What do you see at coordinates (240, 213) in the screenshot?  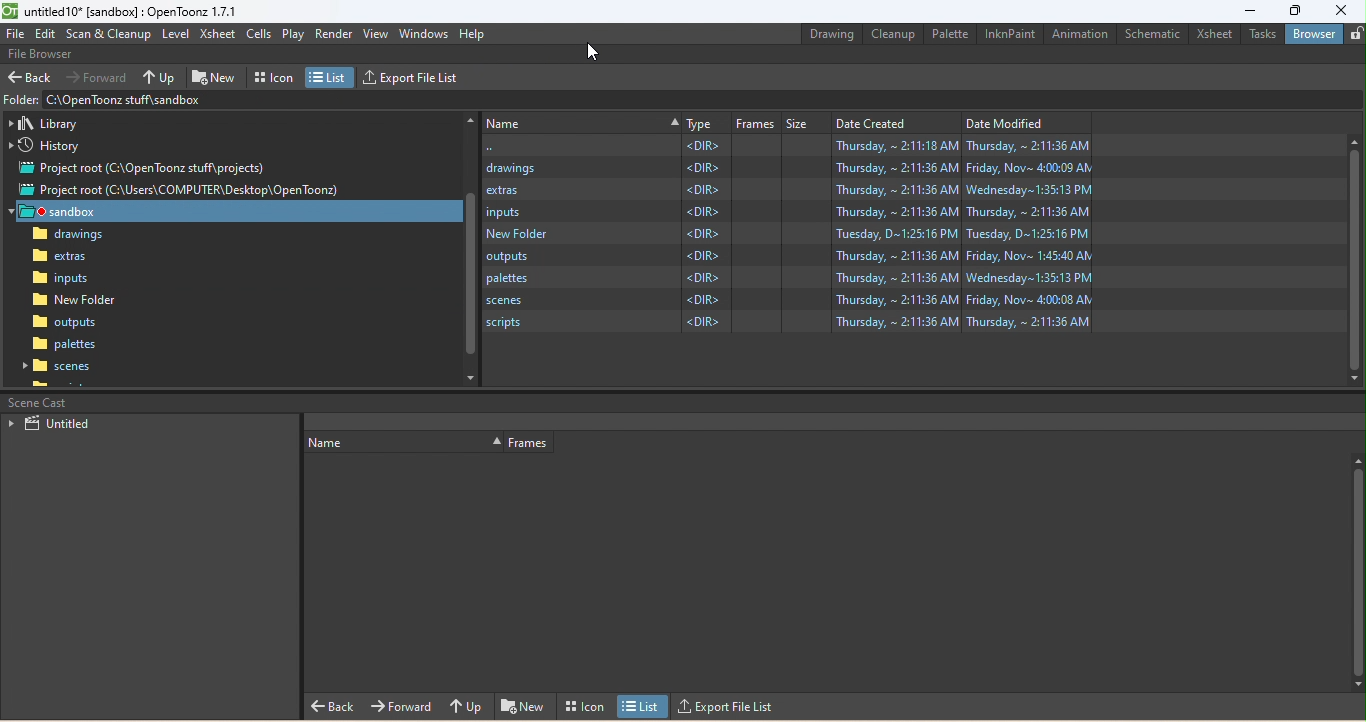 I see `Sabdbox` at bounding box center [240, 213].